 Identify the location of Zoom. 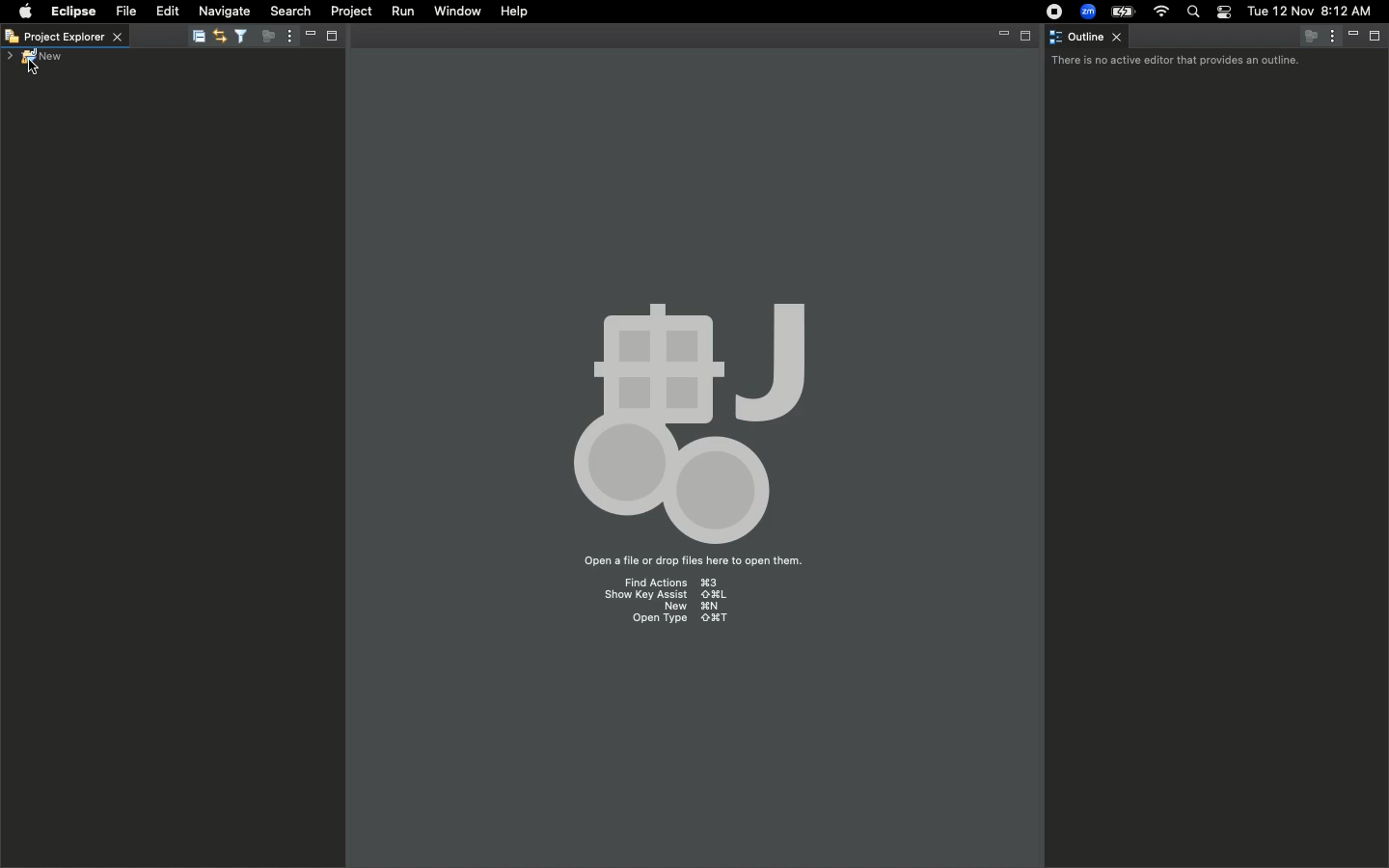
(1085, 12).